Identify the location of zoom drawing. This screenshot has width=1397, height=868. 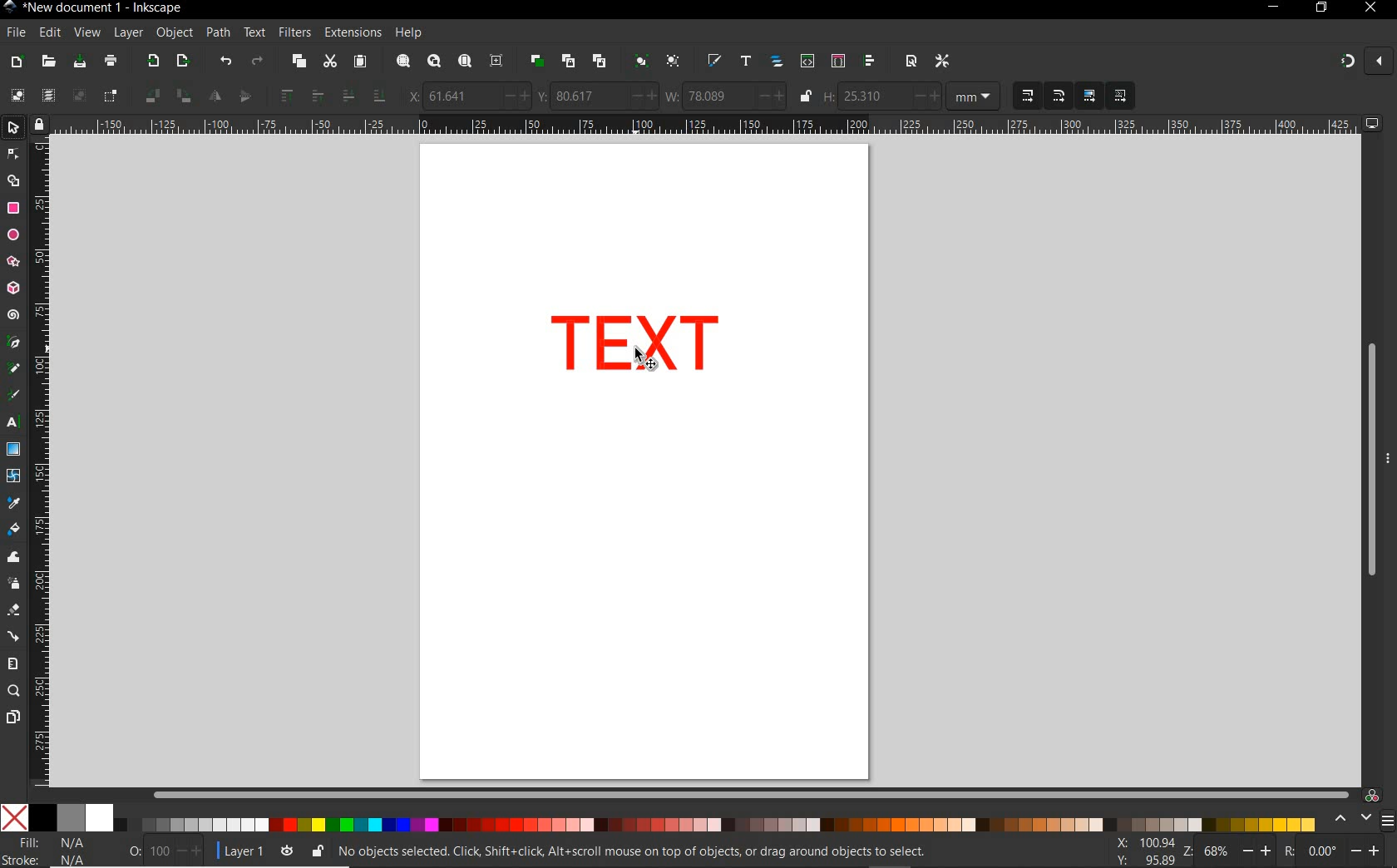
(433, 63).